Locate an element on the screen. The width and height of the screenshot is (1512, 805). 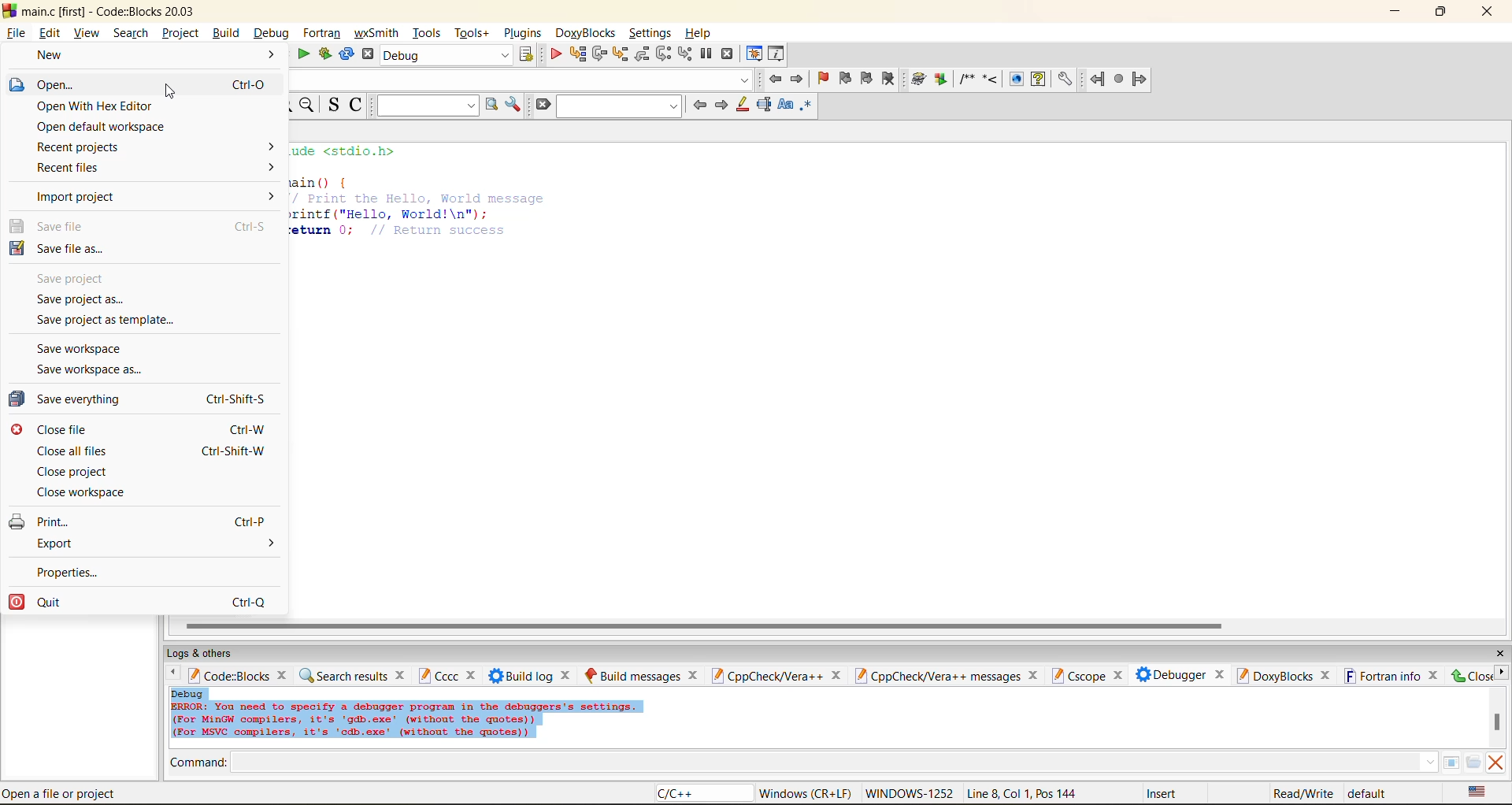
int main(){ is located at coordinates (329, 181).